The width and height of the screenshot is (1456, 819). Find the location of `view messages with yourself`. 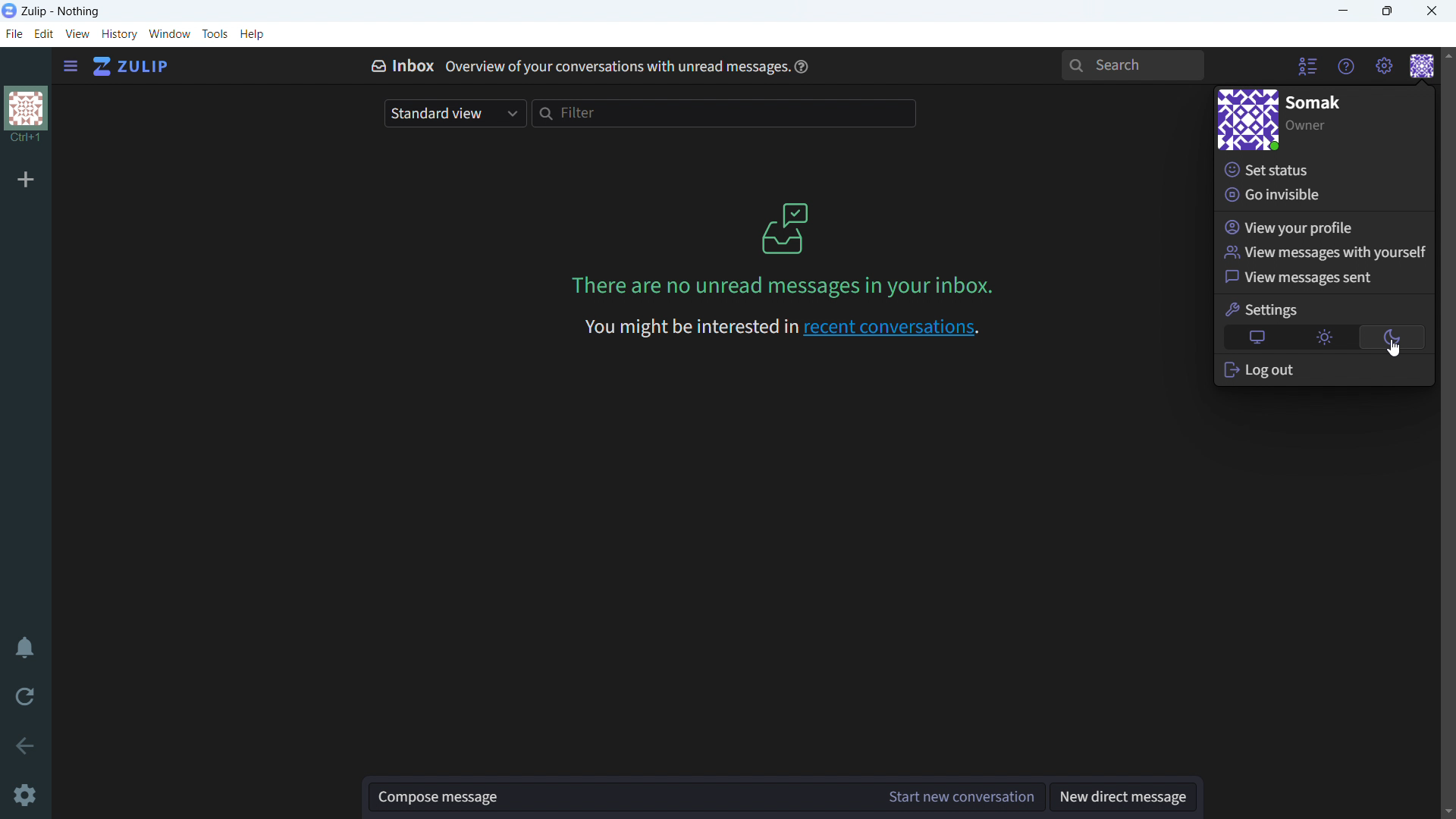

view messages with yourself is located at coordinates (1326, 253).